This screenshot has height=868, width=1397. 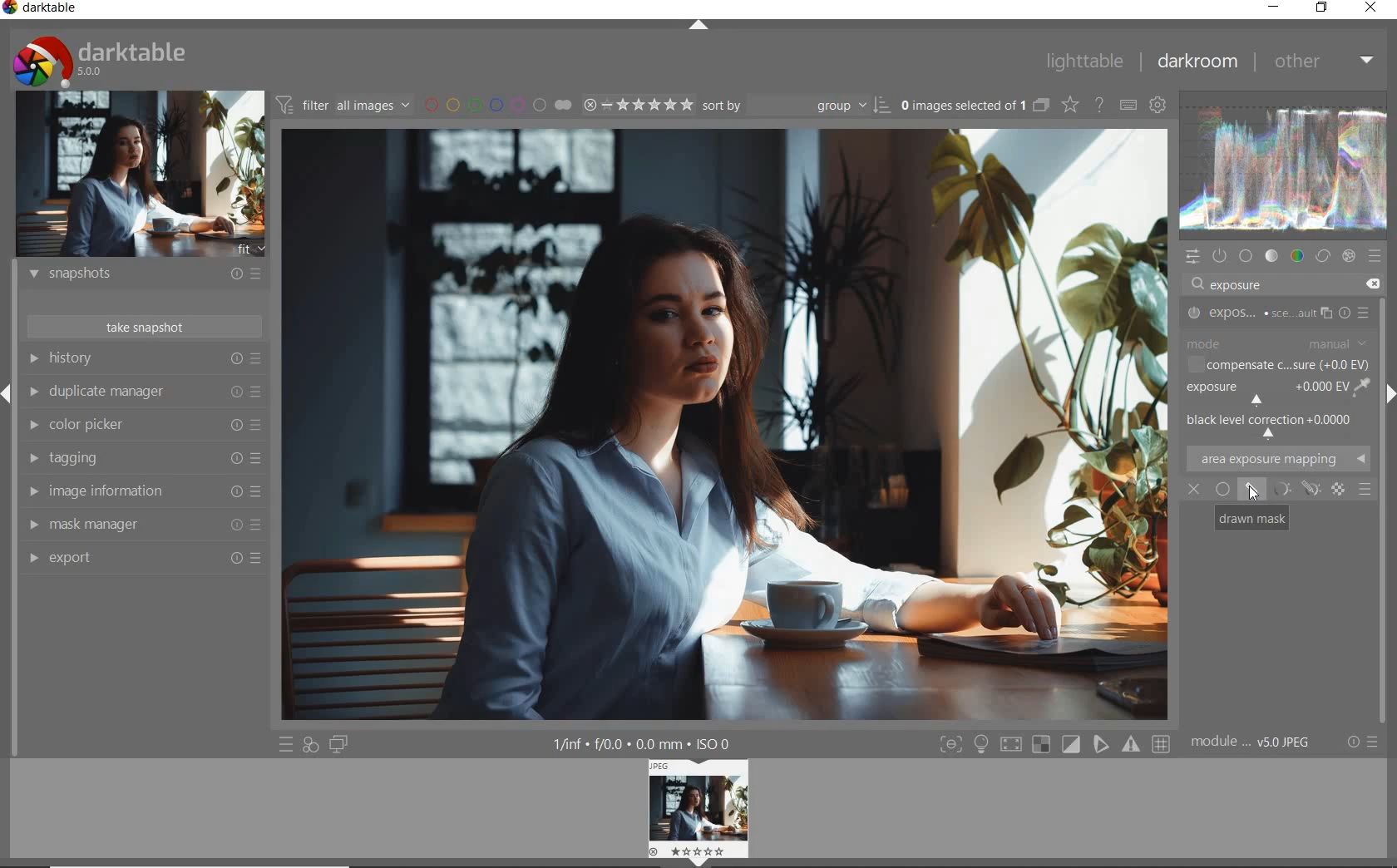 What do you see at coordinates (1069, 104) in the screenshot?
I see `change overlays shown on thumbnails` at bounding box center [1069, 104].